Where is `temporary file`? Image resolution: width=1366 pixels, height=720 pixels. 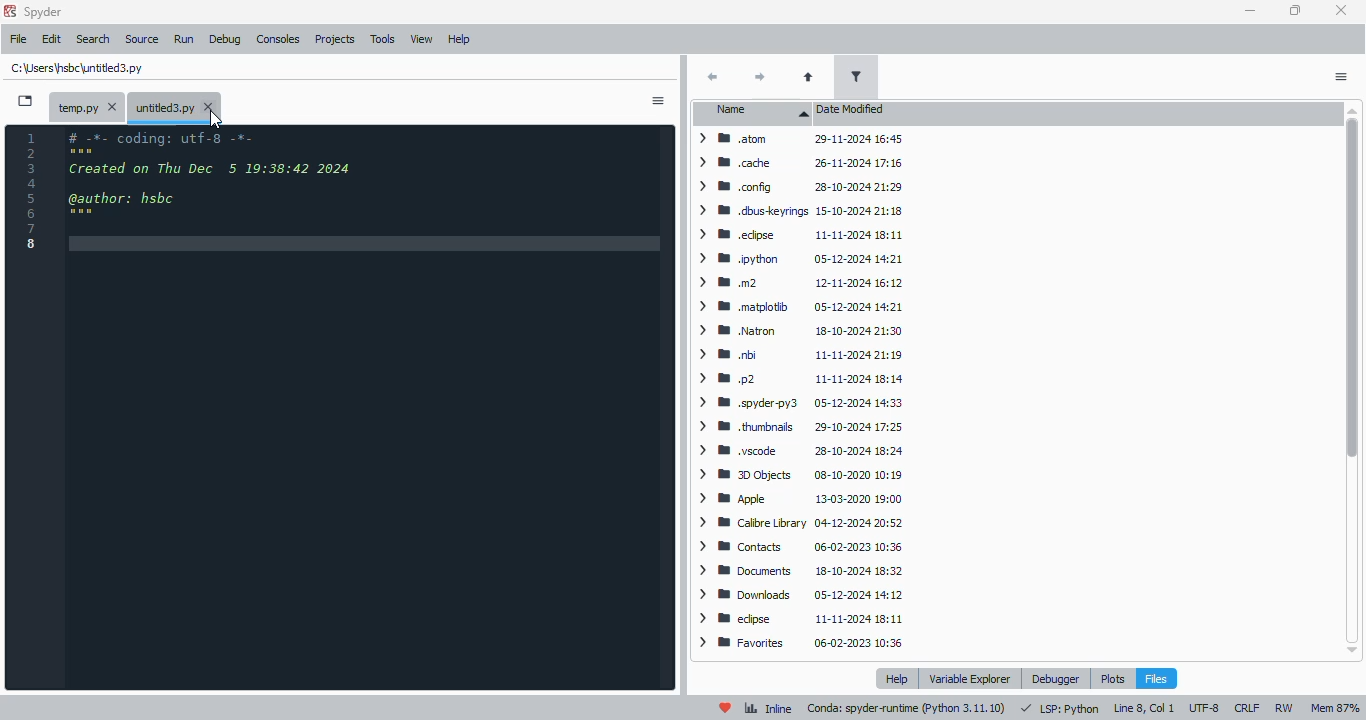 temporary file is located at coordinates (76, 106).